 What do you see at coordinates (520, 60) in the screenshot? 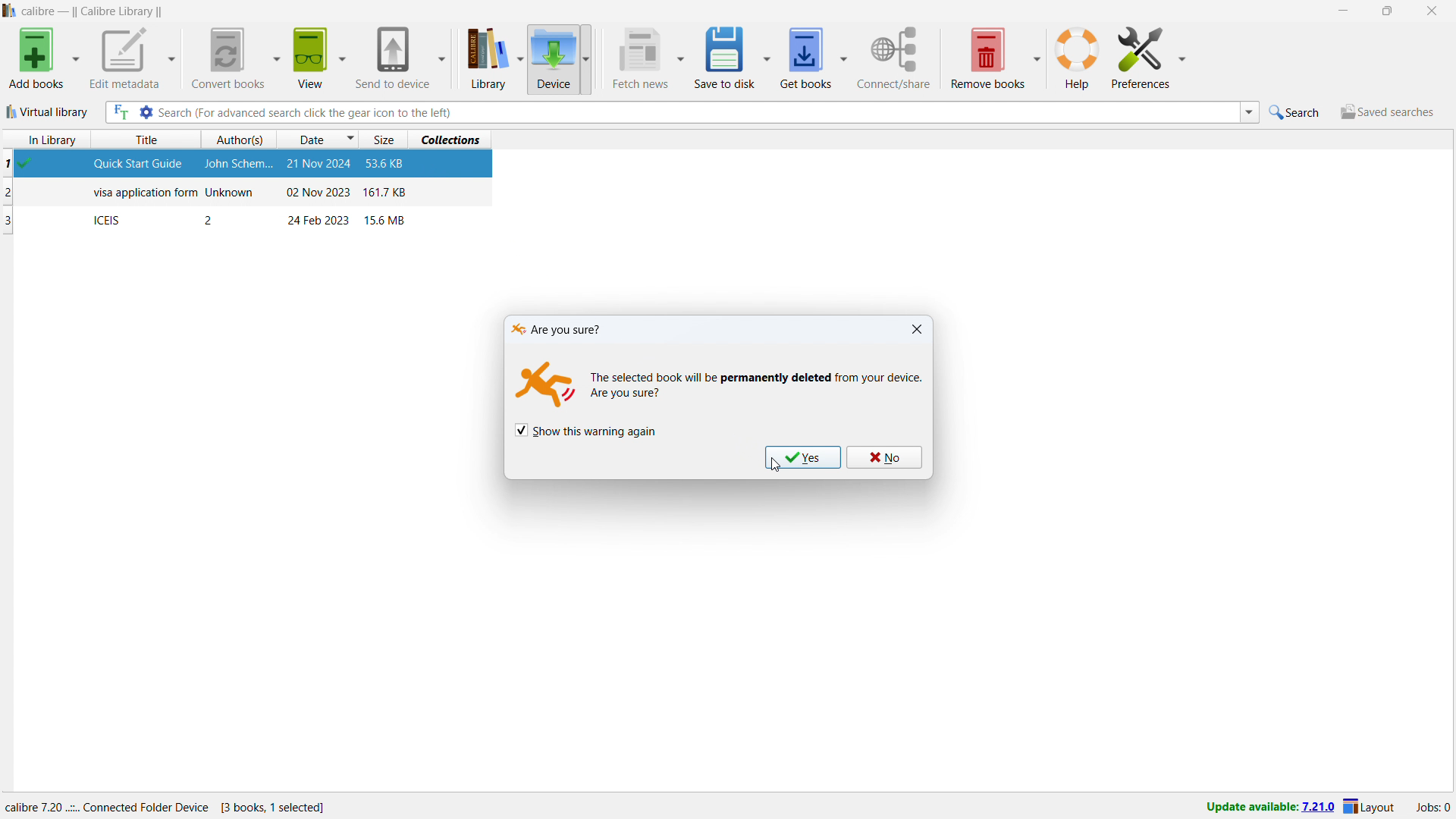
I see `library options` at bounding box center [520, 60].